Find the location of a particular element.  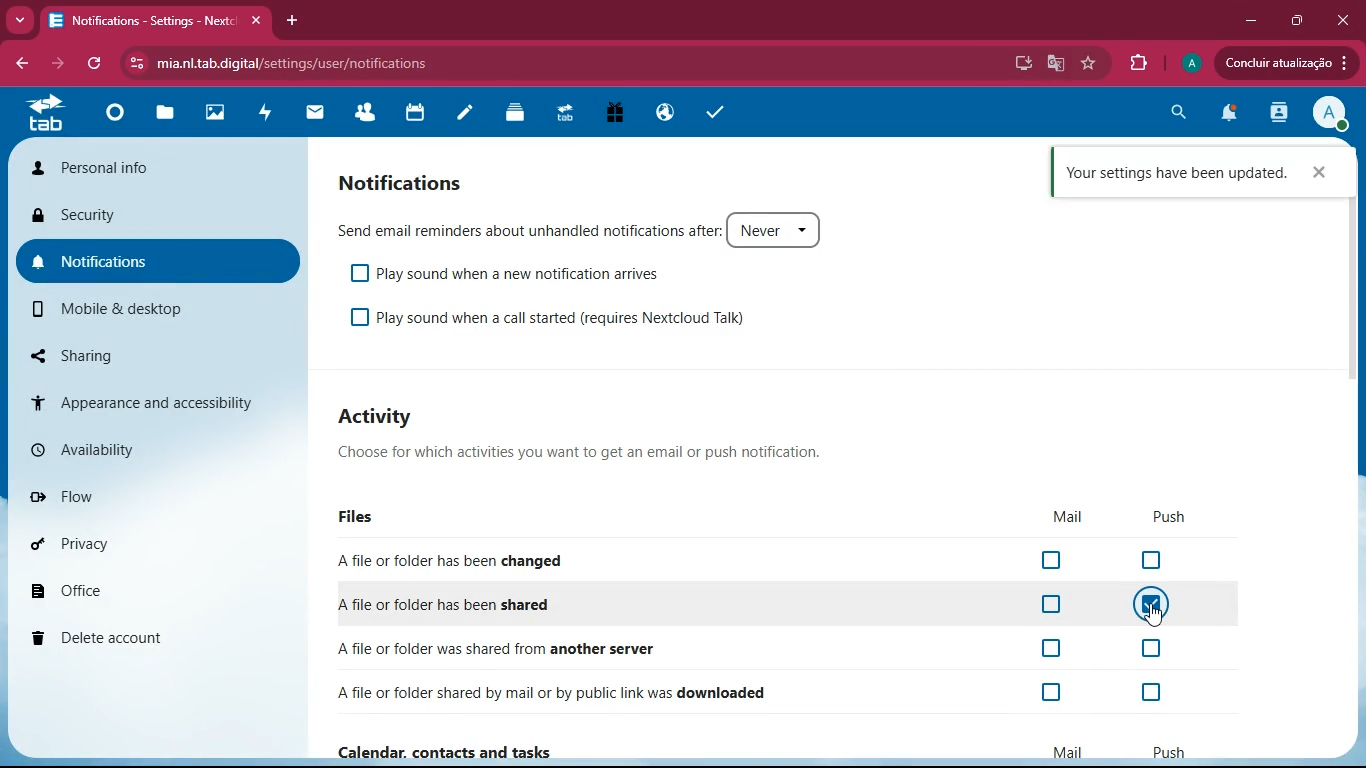

activity is located at coordinates (1276, 113).